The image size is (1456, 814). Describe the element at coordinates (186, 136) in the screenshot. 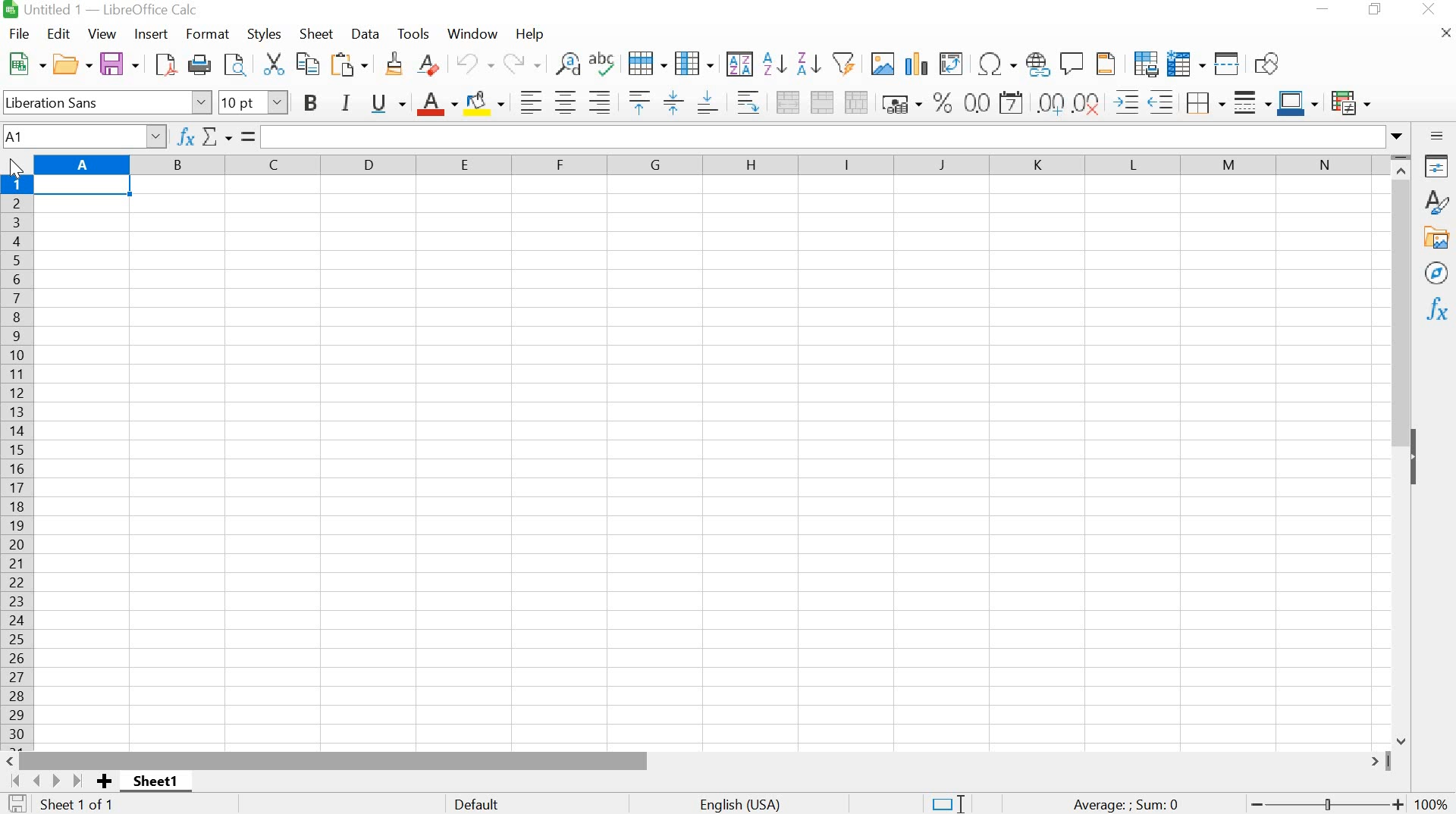

I see `Function Wizard` at that location.